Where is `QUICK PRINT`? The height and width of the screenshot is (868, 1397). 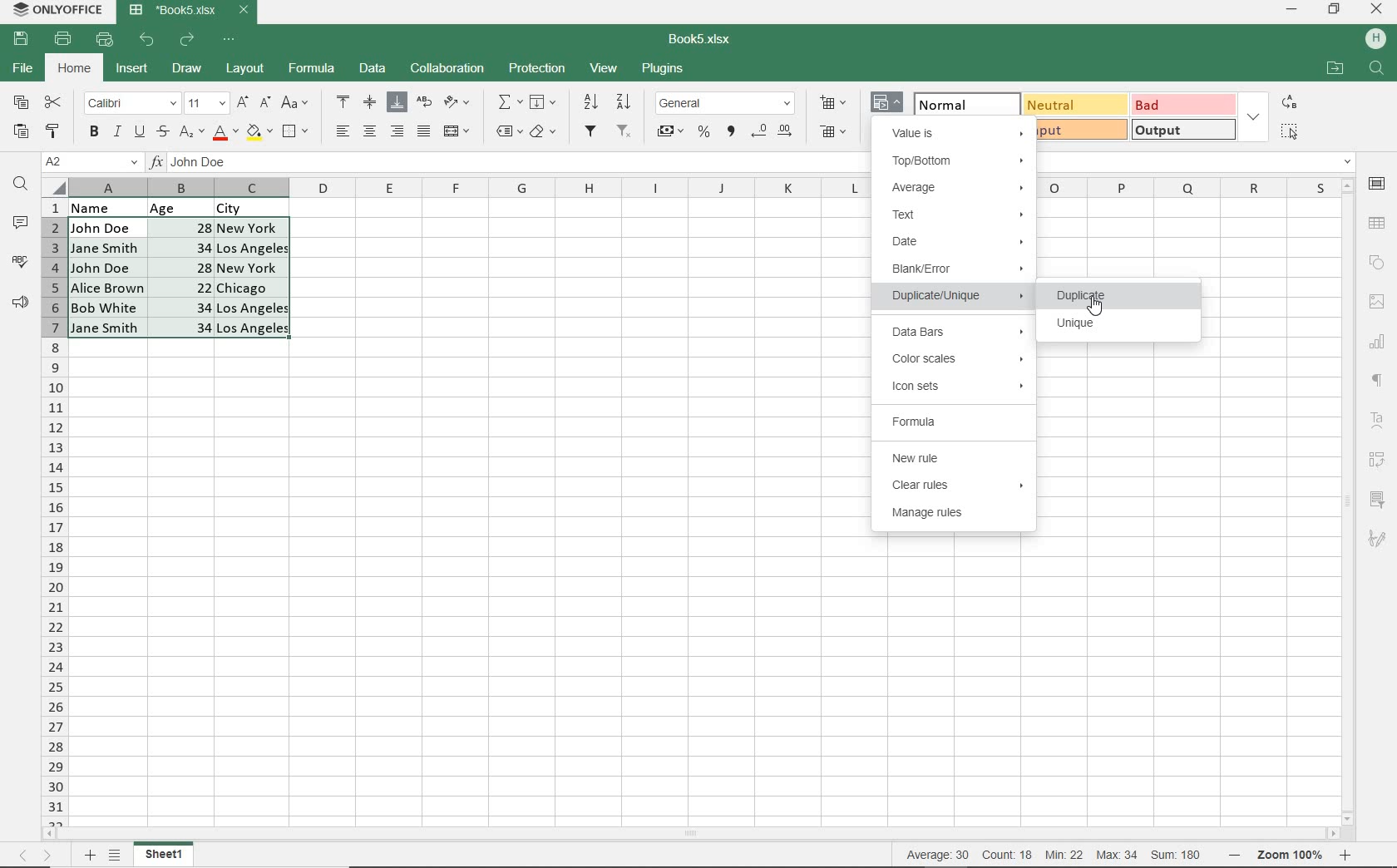 QUICK PRINT is located at coordinates (105, 40).